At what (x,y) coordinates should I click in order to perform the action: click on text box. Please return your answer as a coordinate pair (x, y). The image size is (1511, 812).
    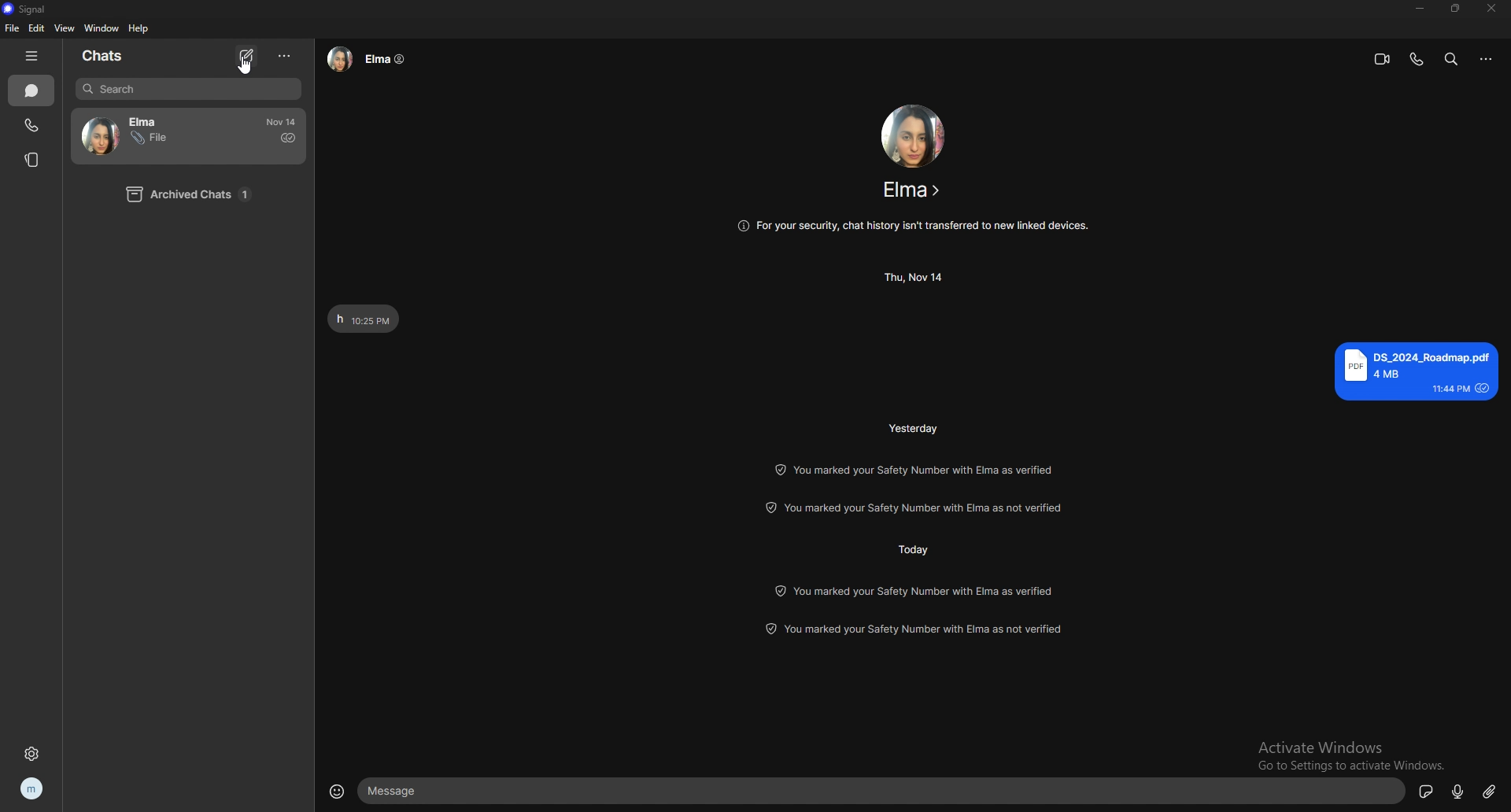
    Looking at the image, I should click on (885, 791).